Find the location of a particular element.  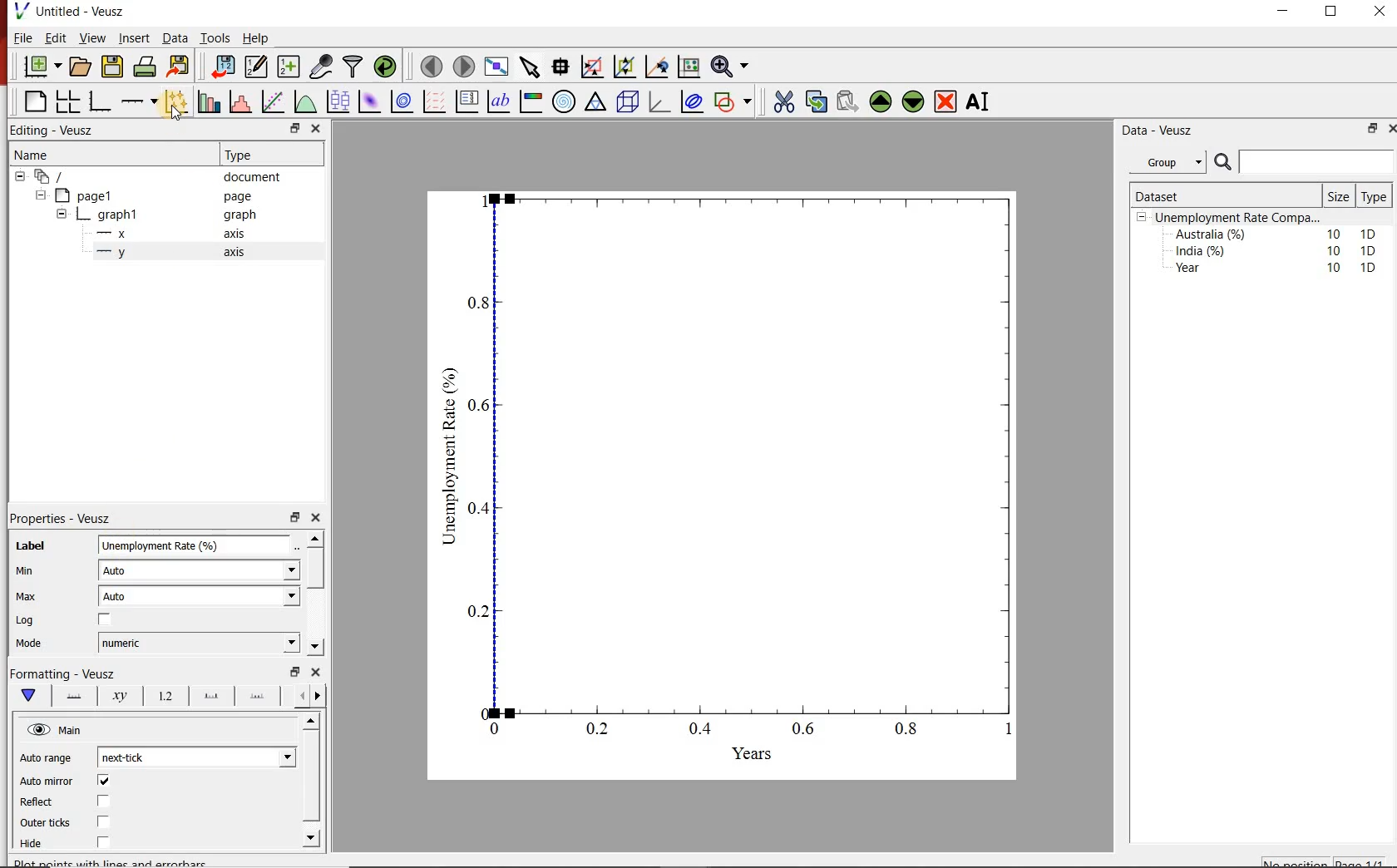

select the items is located at coordinates (531, 65).